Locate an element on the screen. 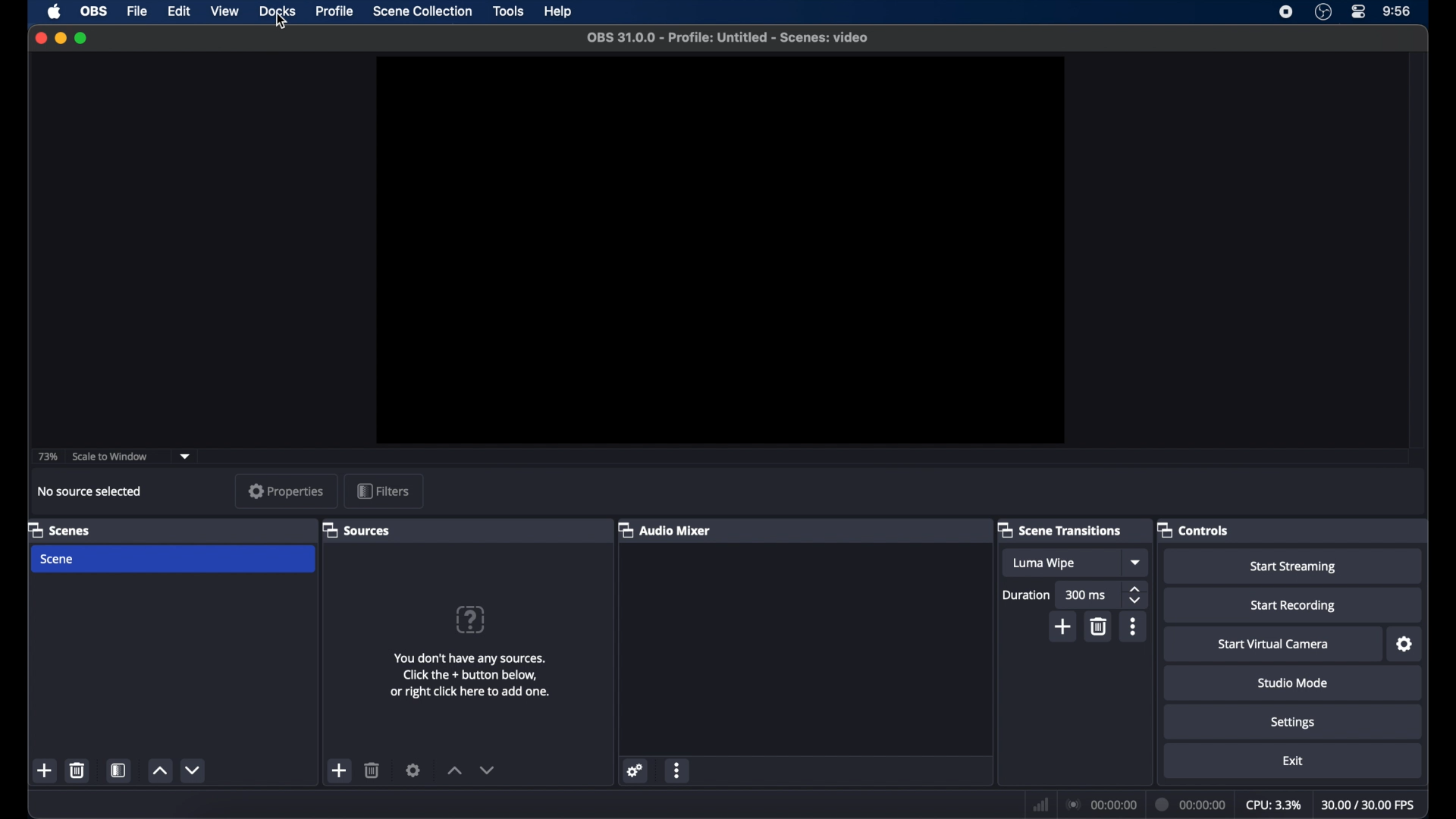 The height and width of the screenshot is (819, 1456). add is located at coordinates (46, 771).